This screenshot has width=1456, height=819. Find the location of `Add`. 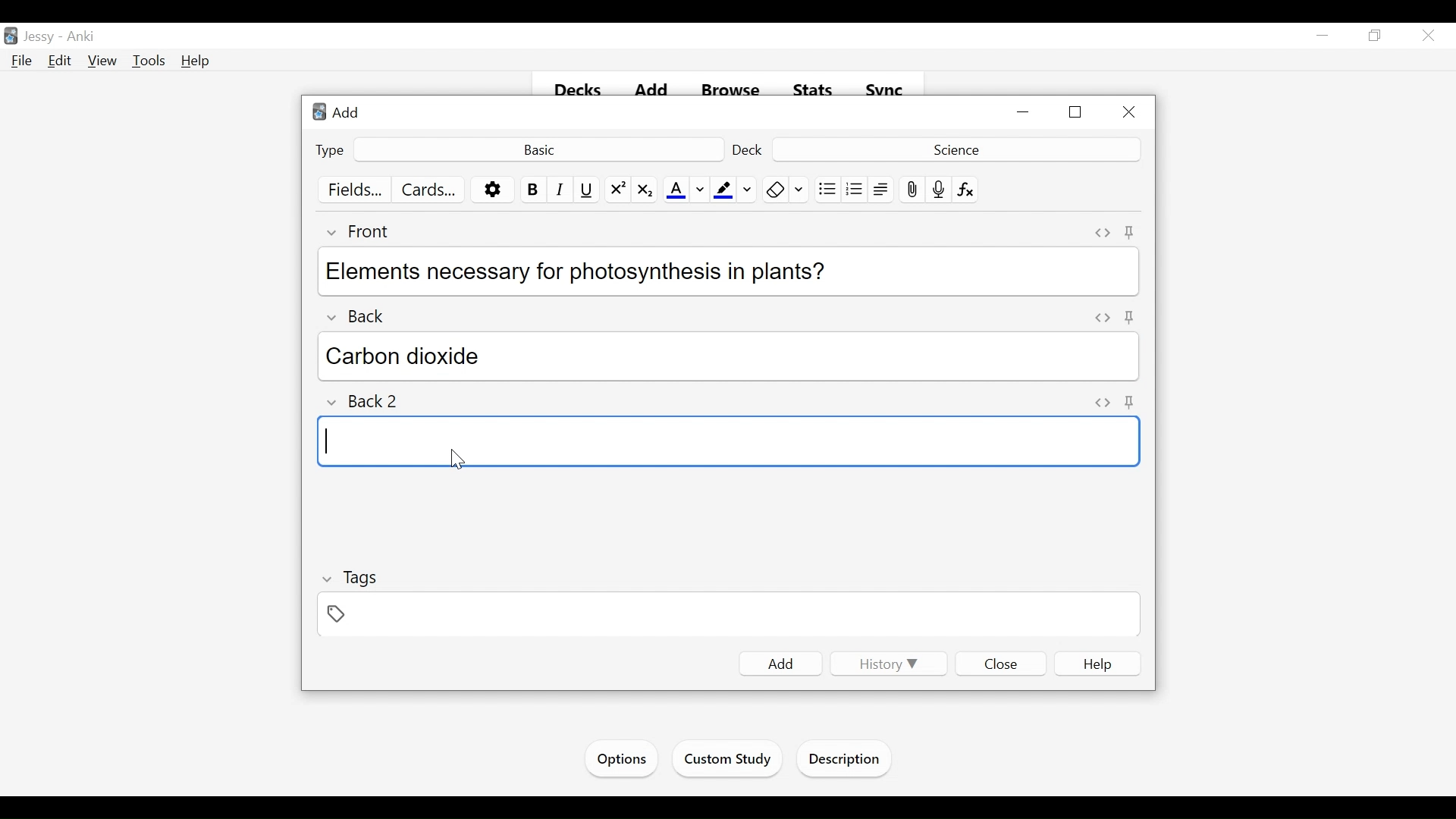

Add is located at coordinates (654, 91).